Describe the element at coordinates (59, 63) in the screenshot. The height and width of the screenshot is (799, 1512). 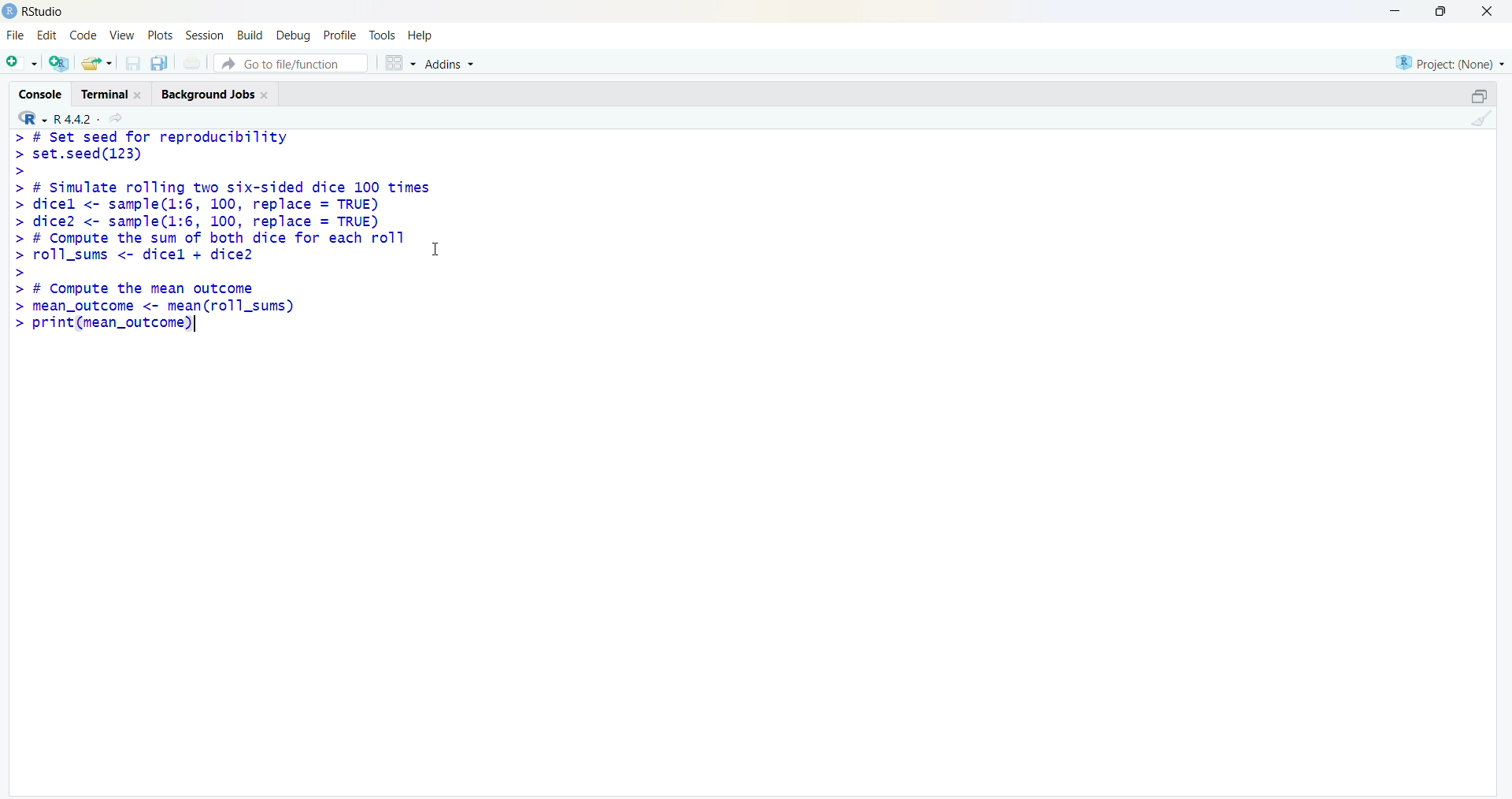
I see `add R file` at that location.